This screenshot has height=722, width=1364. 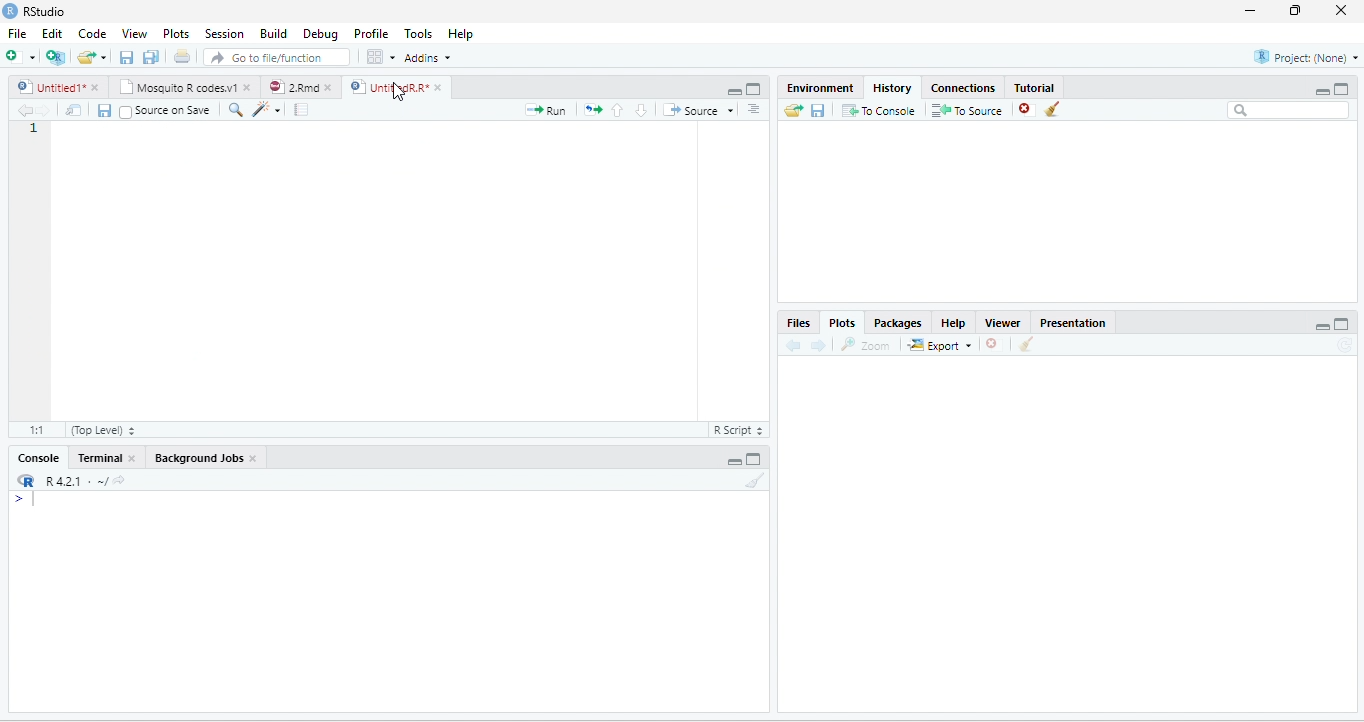 I want to click on Go forward to next source location, so click(x=44, y=111).